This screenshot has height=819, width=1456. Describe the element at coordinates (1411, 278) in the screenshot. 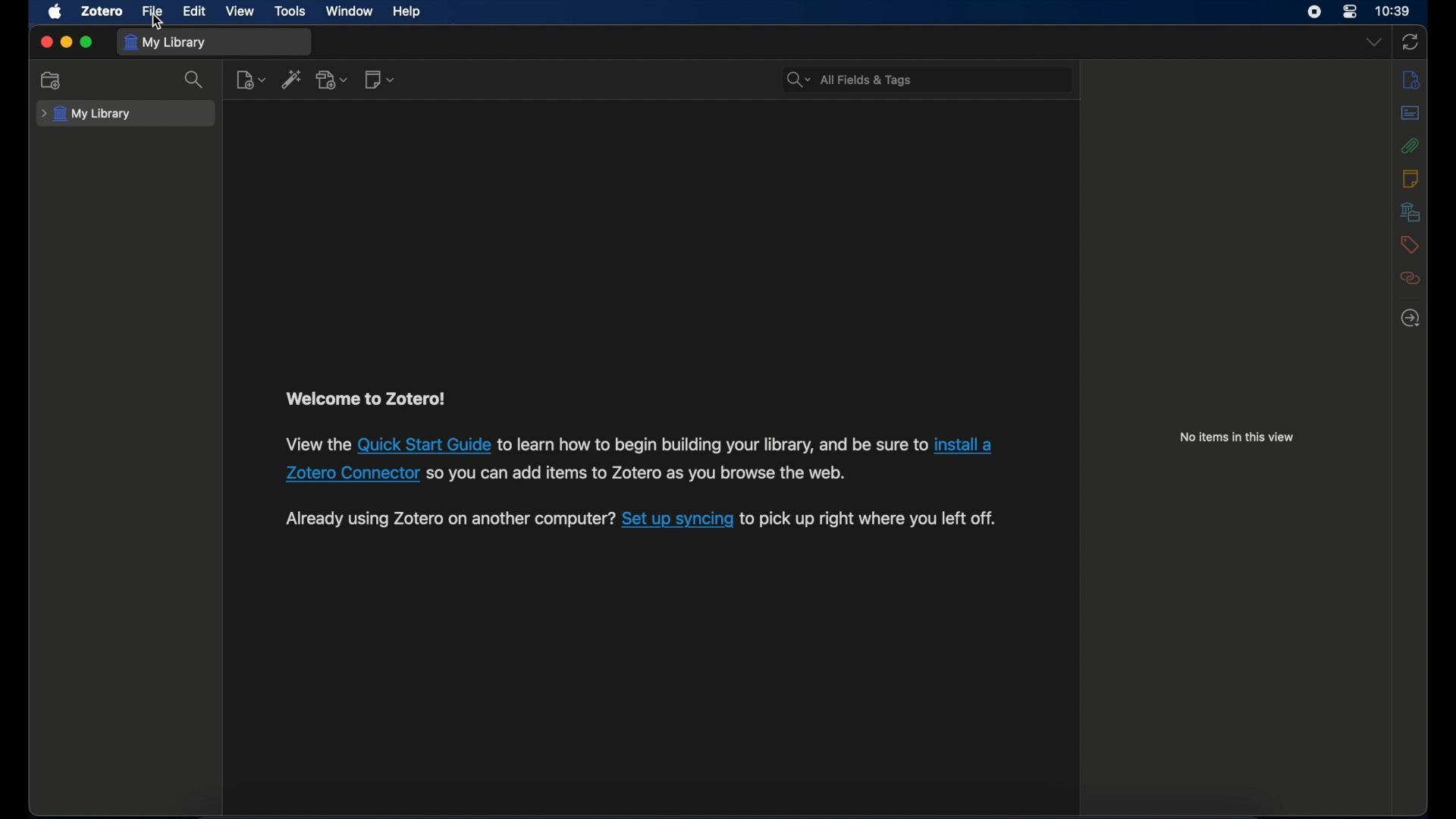

I see `related` at that location.